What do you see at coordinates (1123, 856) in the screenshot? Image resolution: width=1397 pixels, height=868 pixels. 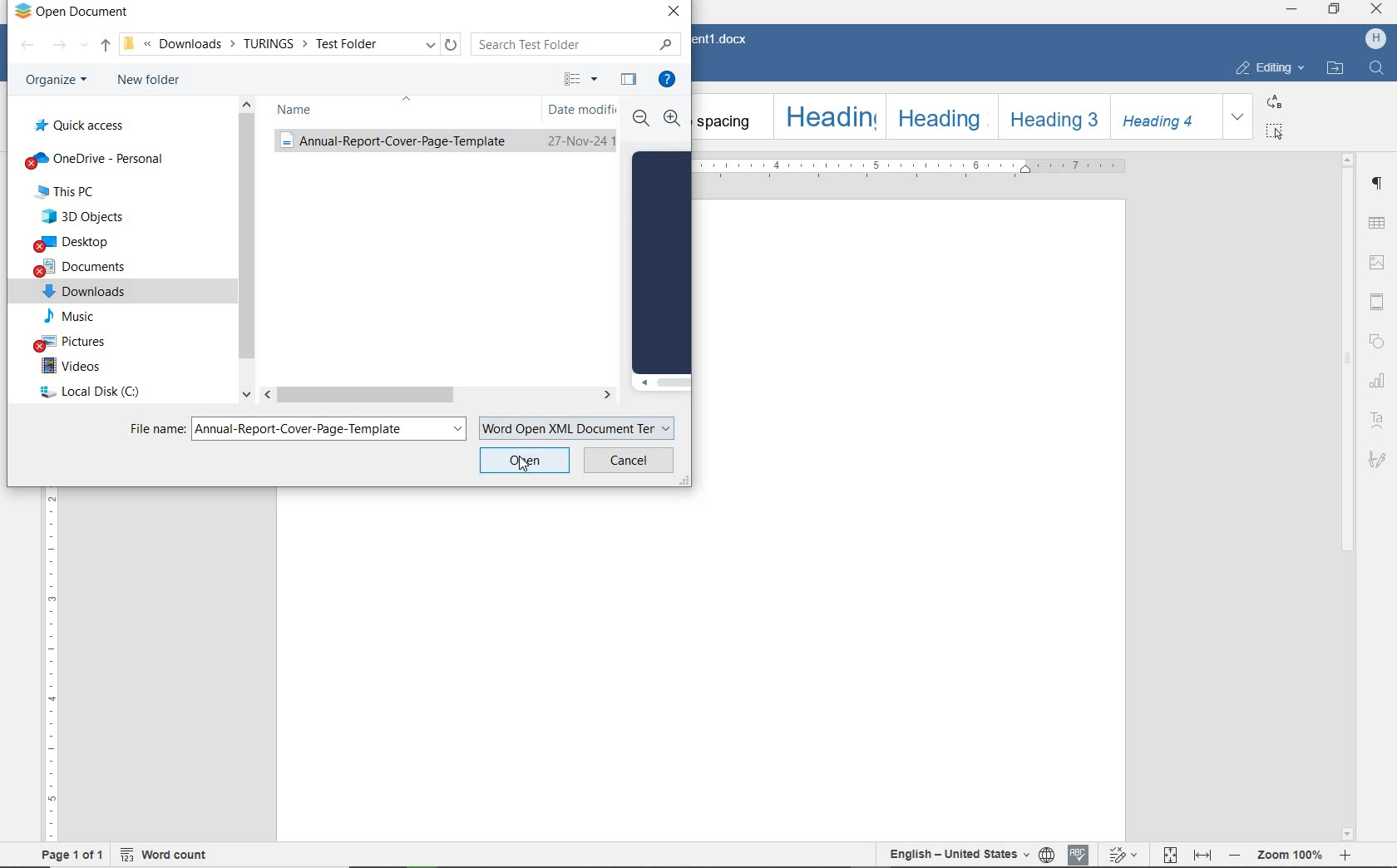 I see `` at bounding box center [1123, 856].